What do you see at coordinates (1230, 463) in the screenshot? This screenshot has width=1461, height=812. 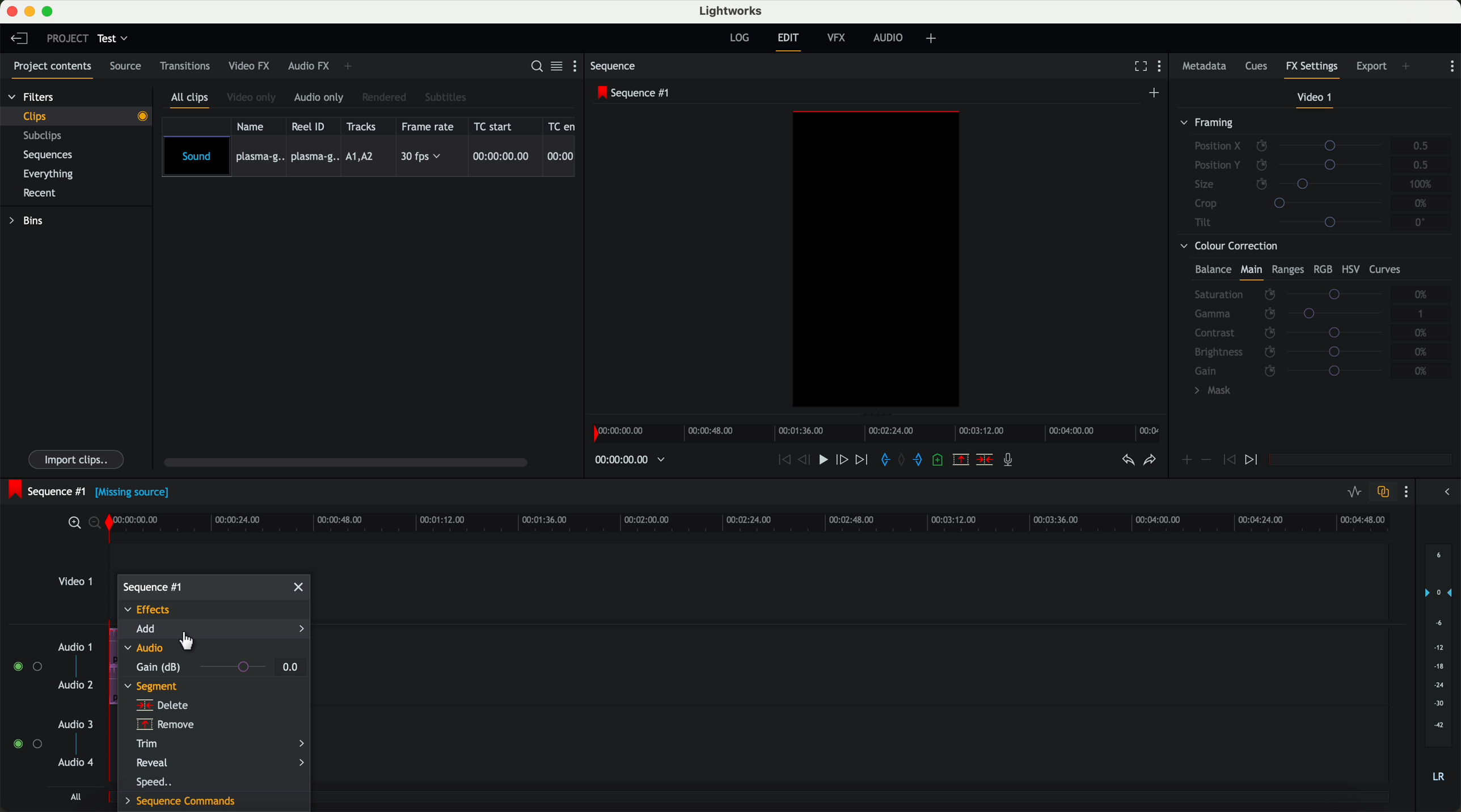 I see `jump to previous keyframe` at bounding box center [1230, 463].